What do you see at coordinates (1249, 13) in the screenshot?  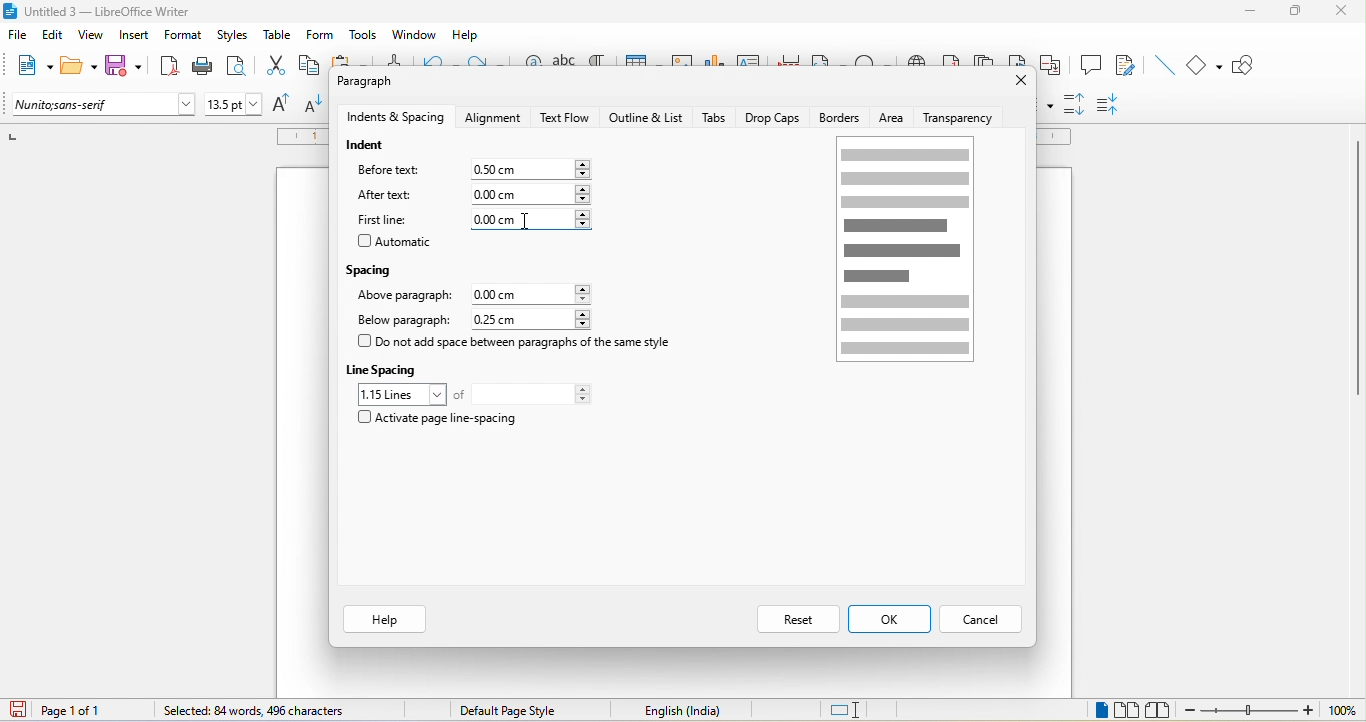 I see `minimize` at bounding box center [1249, 13].